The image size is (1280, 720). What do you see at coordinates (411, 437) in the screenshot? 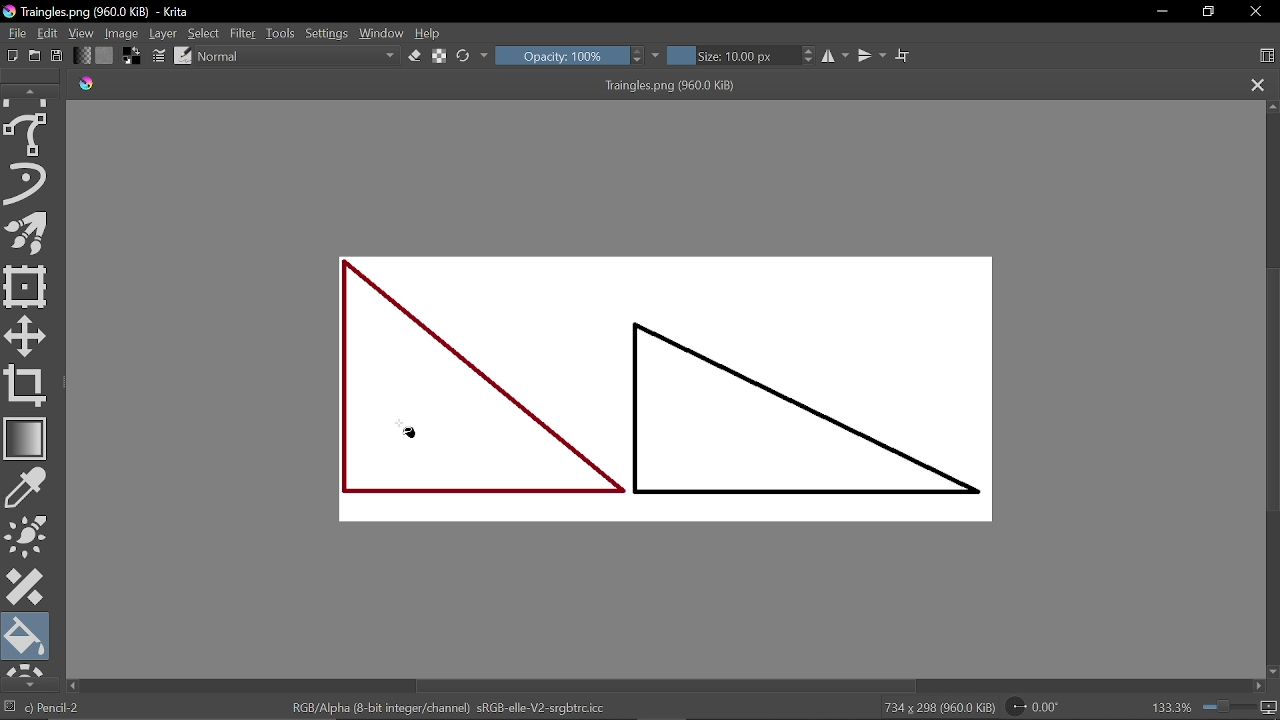
I see `Cursor` at bounding box center [411, 437].